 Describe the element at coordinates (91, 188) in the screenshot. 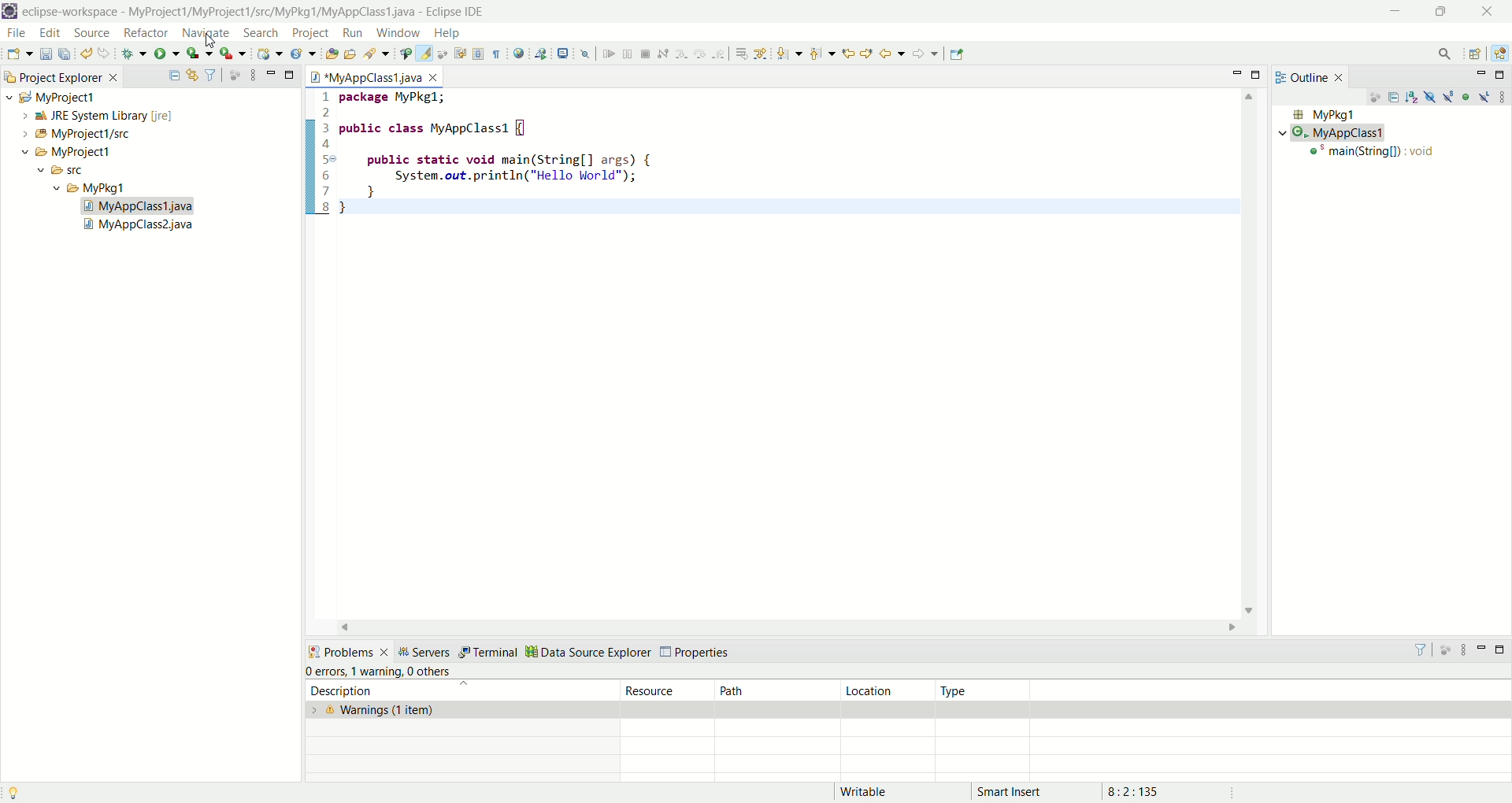

I see `mypkg1` at that location.